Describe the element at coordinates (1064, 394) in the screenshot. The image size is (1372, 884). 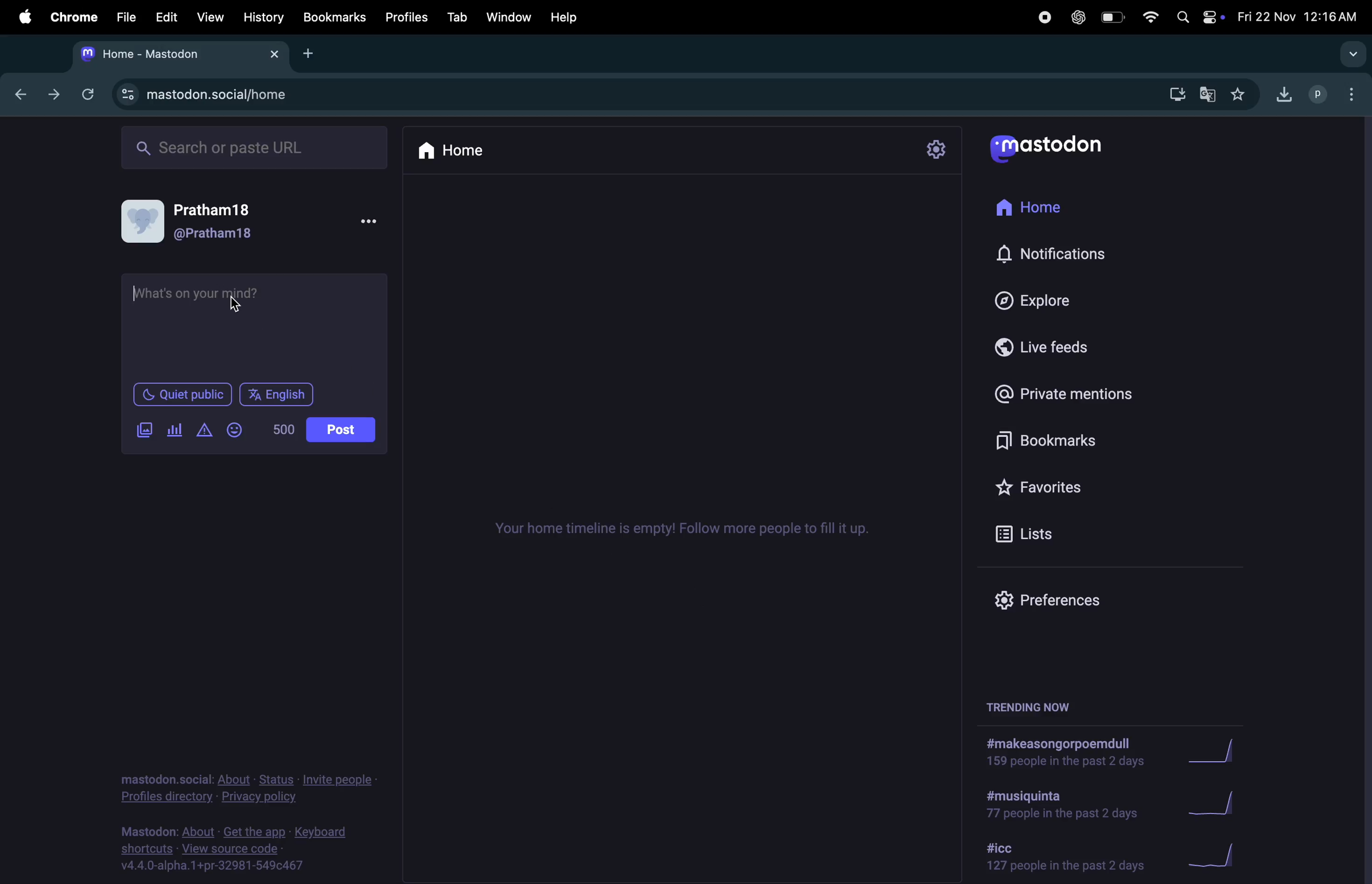
I see `private mentions` at that location.